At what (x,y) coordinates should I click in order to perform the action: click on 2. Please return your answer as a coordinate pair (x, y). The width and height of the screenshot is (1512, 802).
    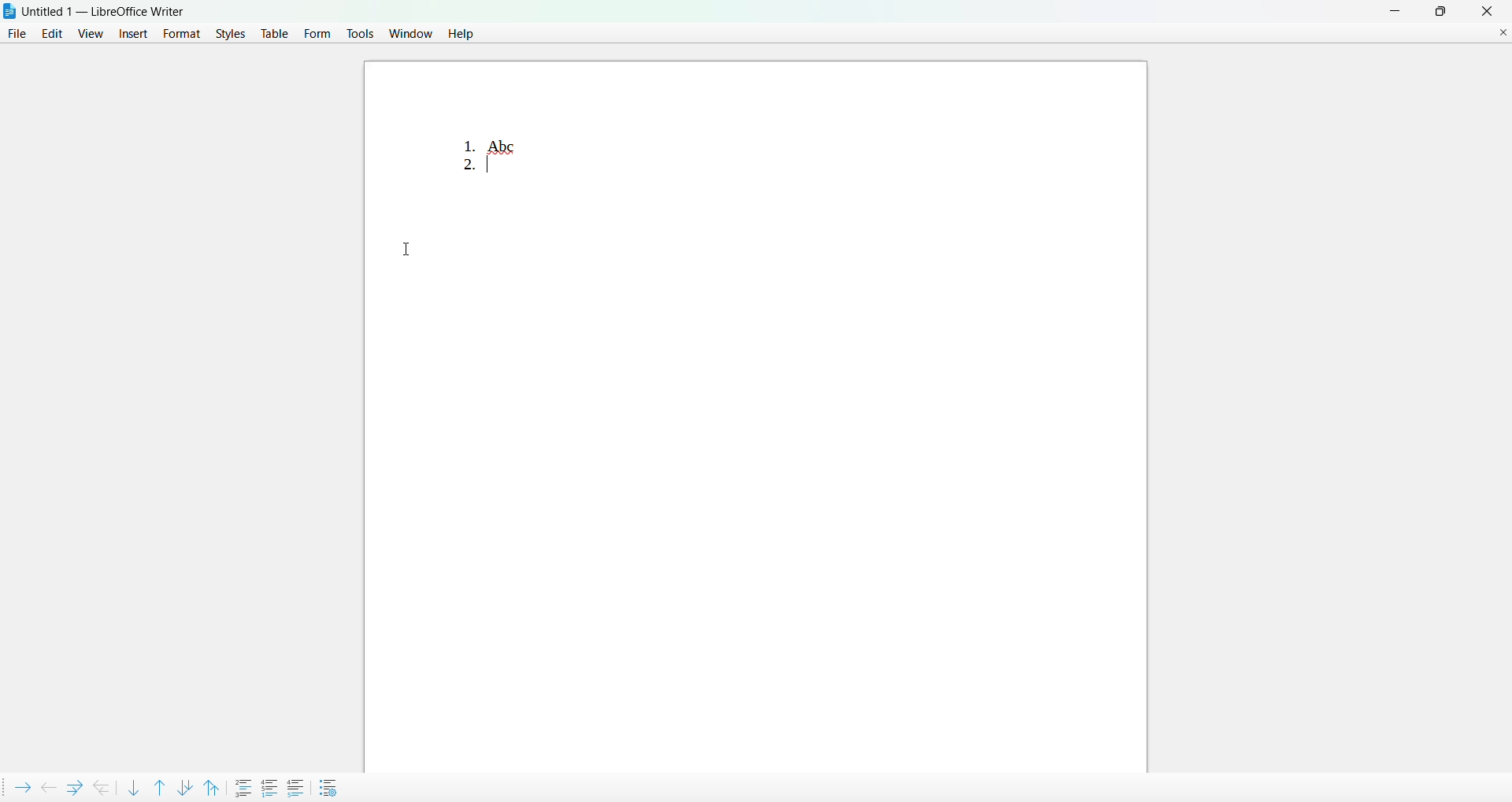
    Looking at the image, I should click on (464, 169).